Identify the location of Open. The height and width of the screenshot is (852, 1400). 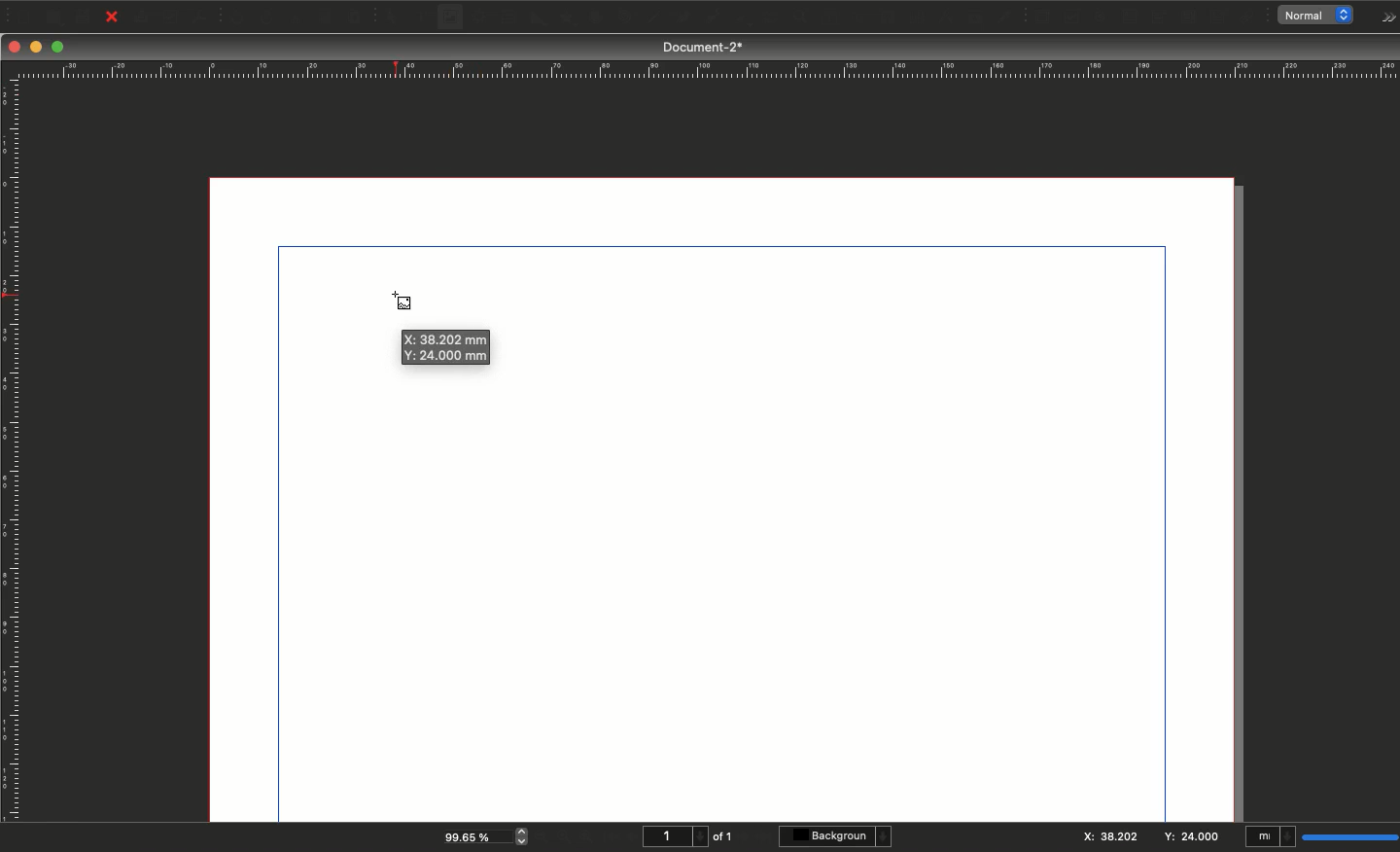
(52, 18).